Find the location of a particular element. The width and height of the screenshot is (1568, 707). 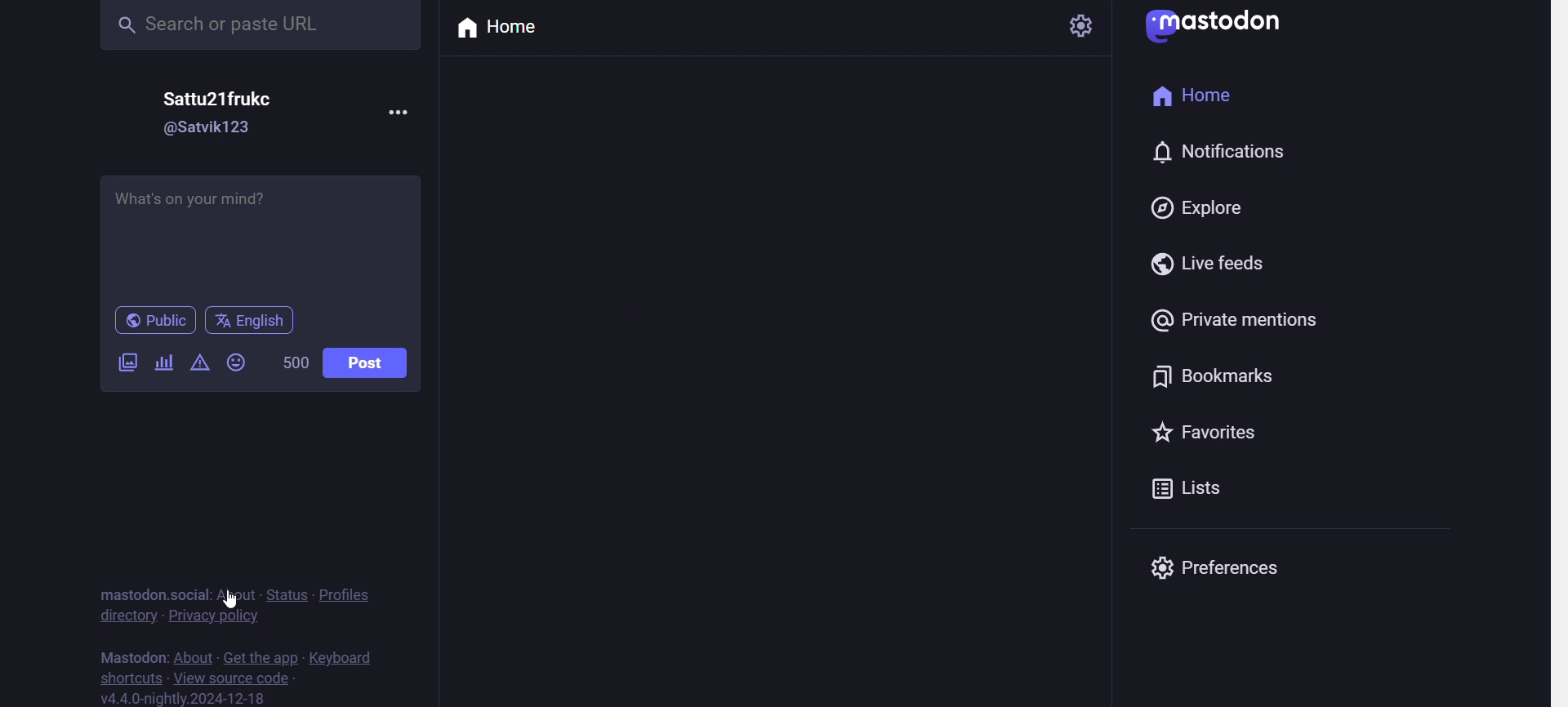

poll is located at coordinates (163, 359).